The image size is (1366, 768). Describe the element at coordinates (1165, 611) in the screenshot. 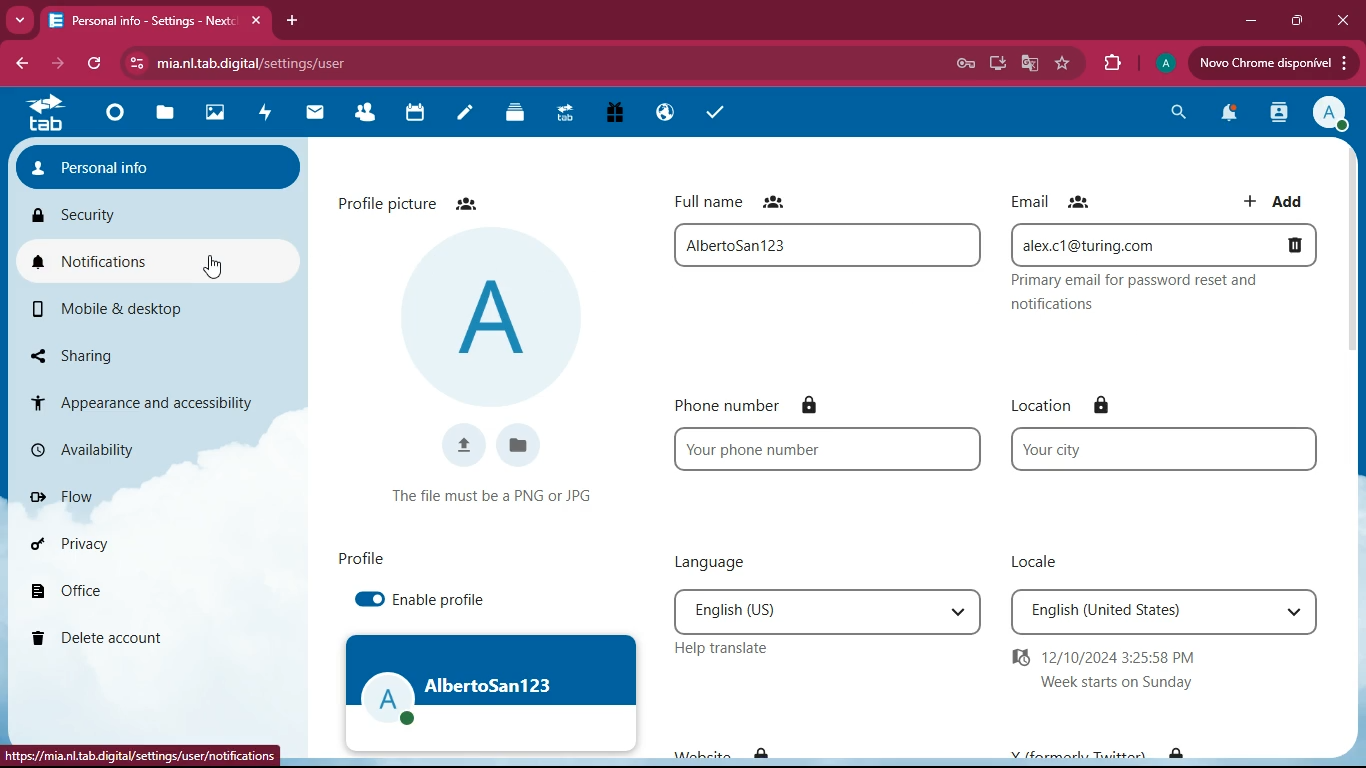

I see `locale` at that location.